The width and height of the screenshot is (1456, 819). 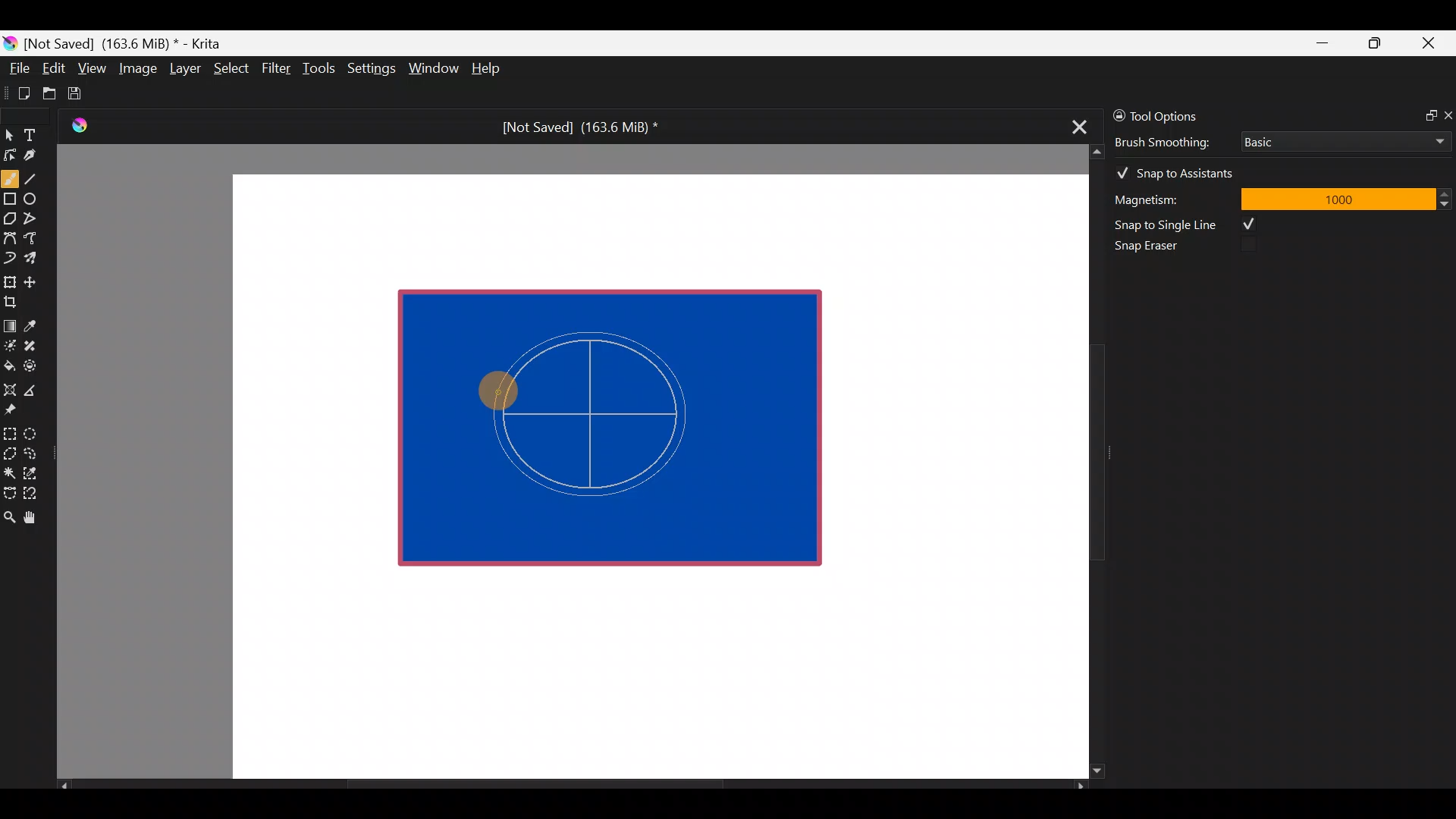 I want to click on Krita logo, so click(x=10, y=42).